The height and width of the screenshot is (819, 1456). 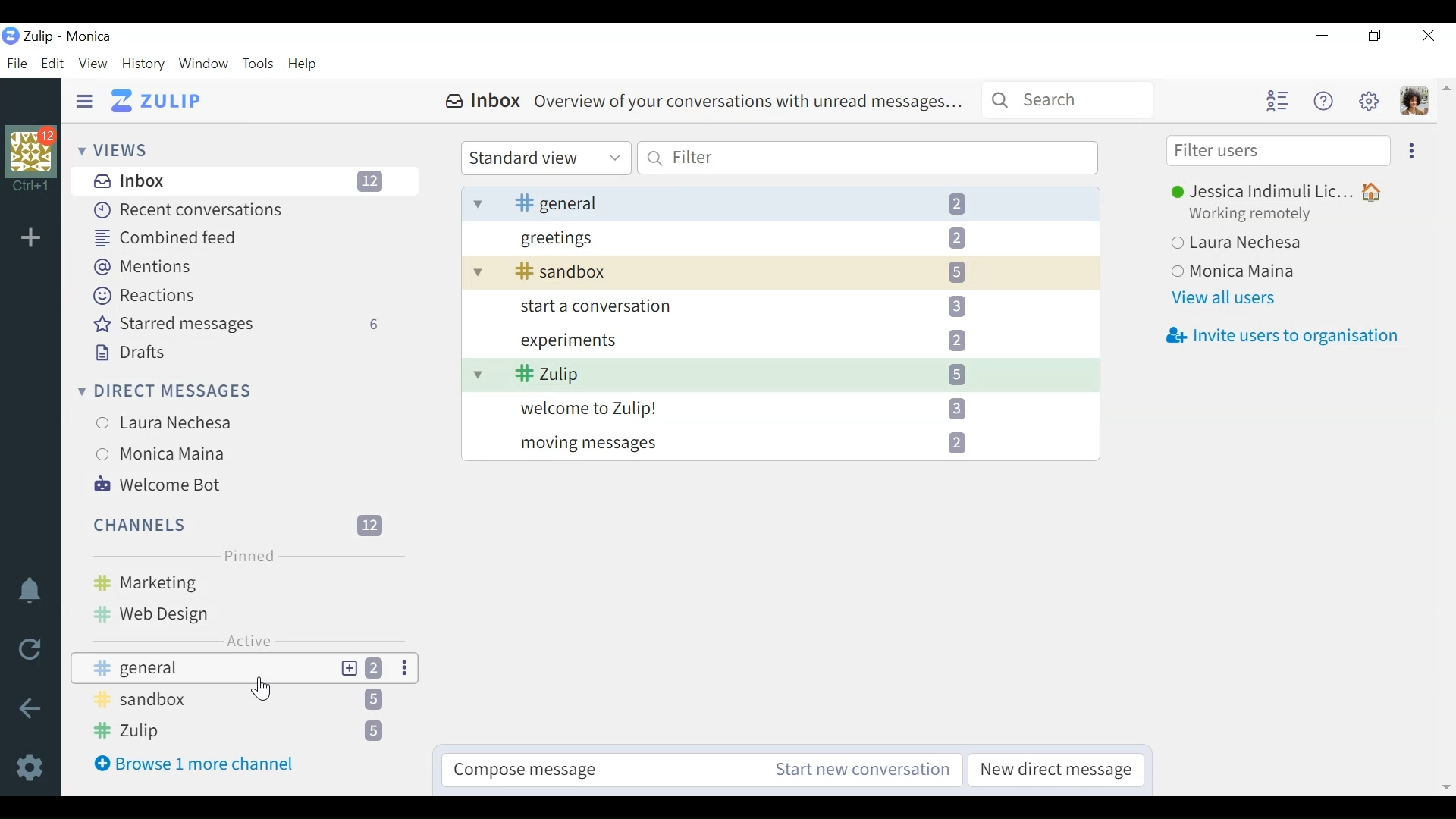 What do you see at coordinates (779, 339) in the screenshot?
I see `experiments 2` at bounding box center [779, 339].